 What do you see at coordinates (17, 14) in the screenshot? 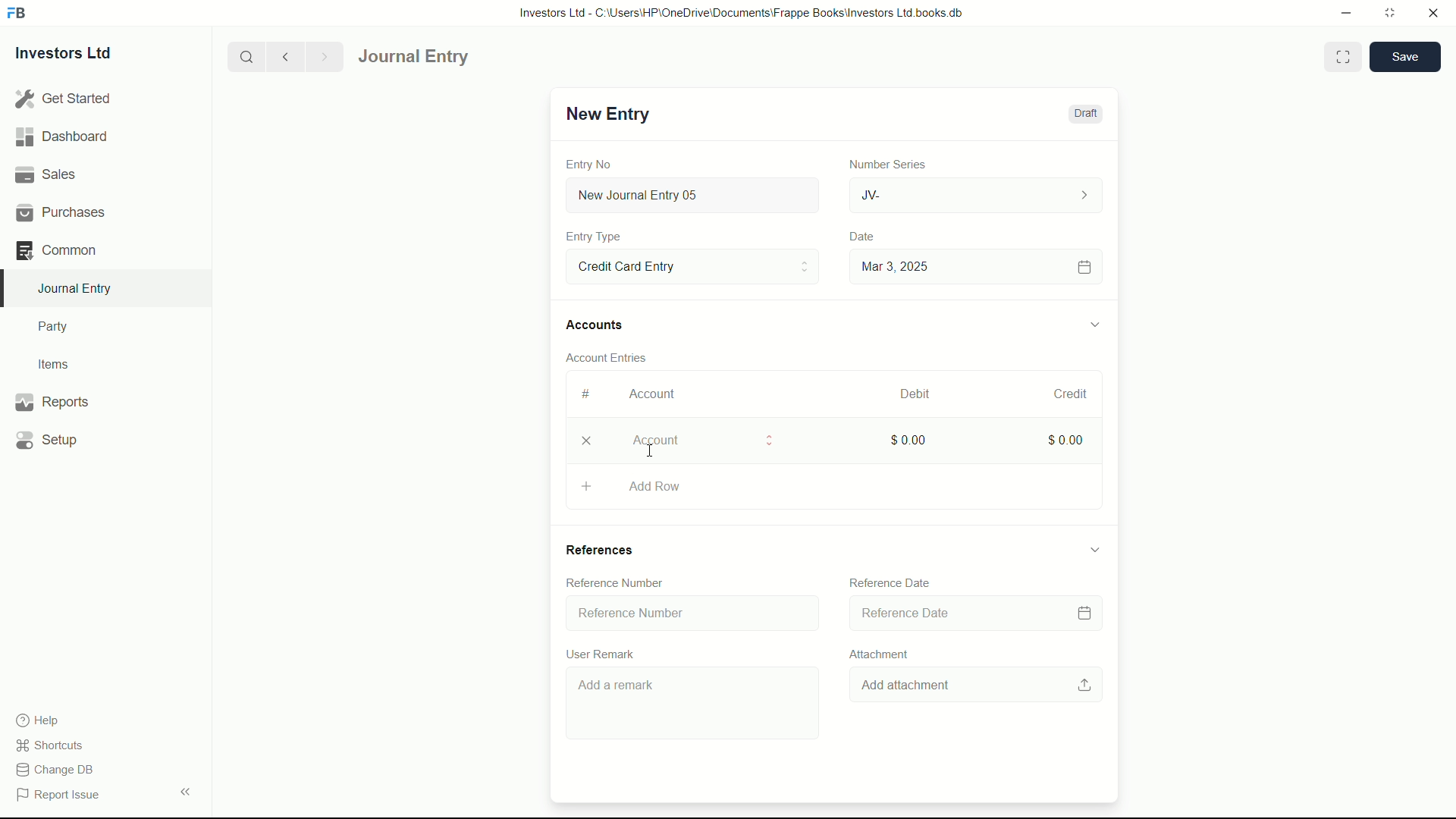
I see `FrappeBooks logo` at bounding box center [17, 14].